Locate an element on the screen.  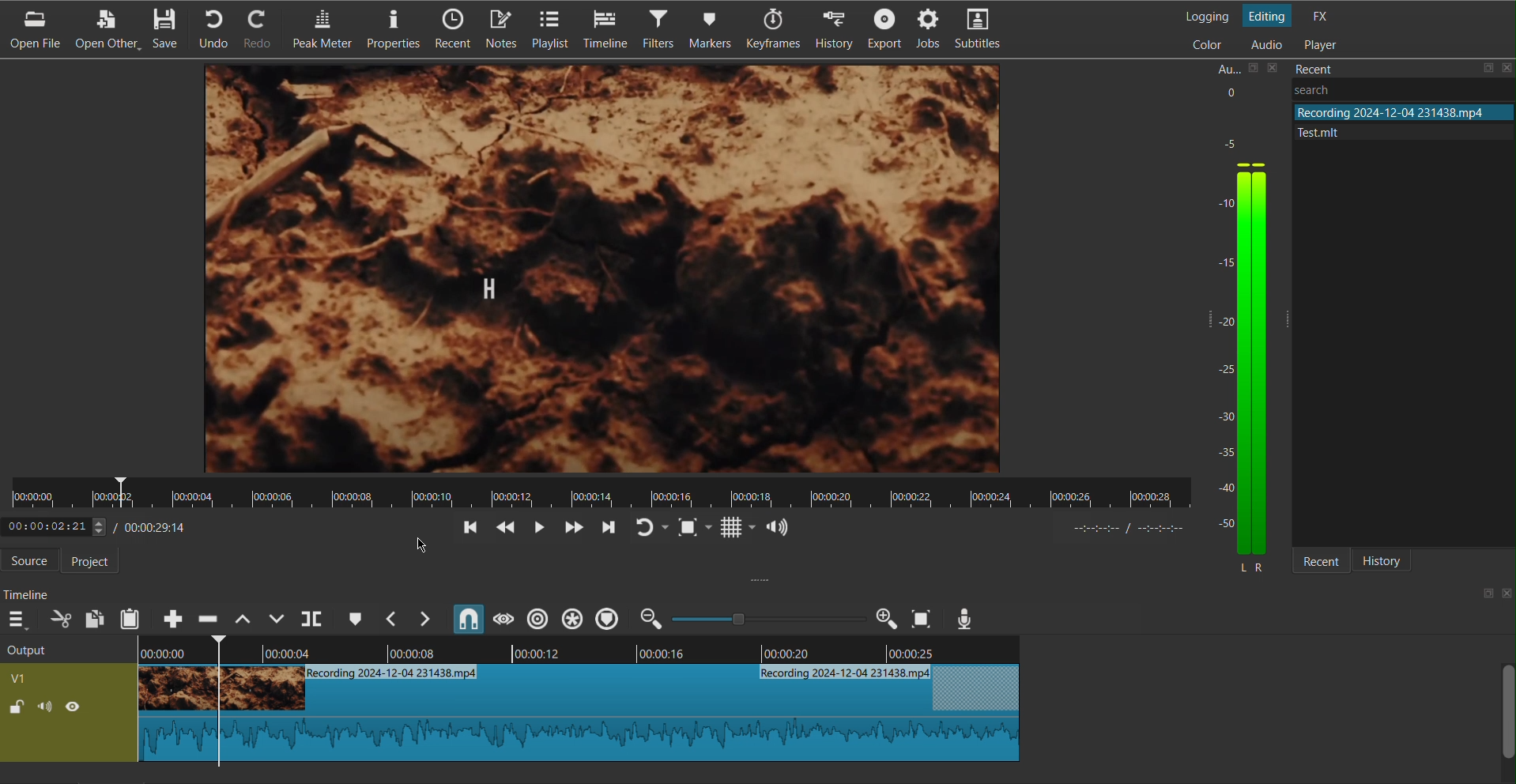
Filters is located at coordinates (658, 30).